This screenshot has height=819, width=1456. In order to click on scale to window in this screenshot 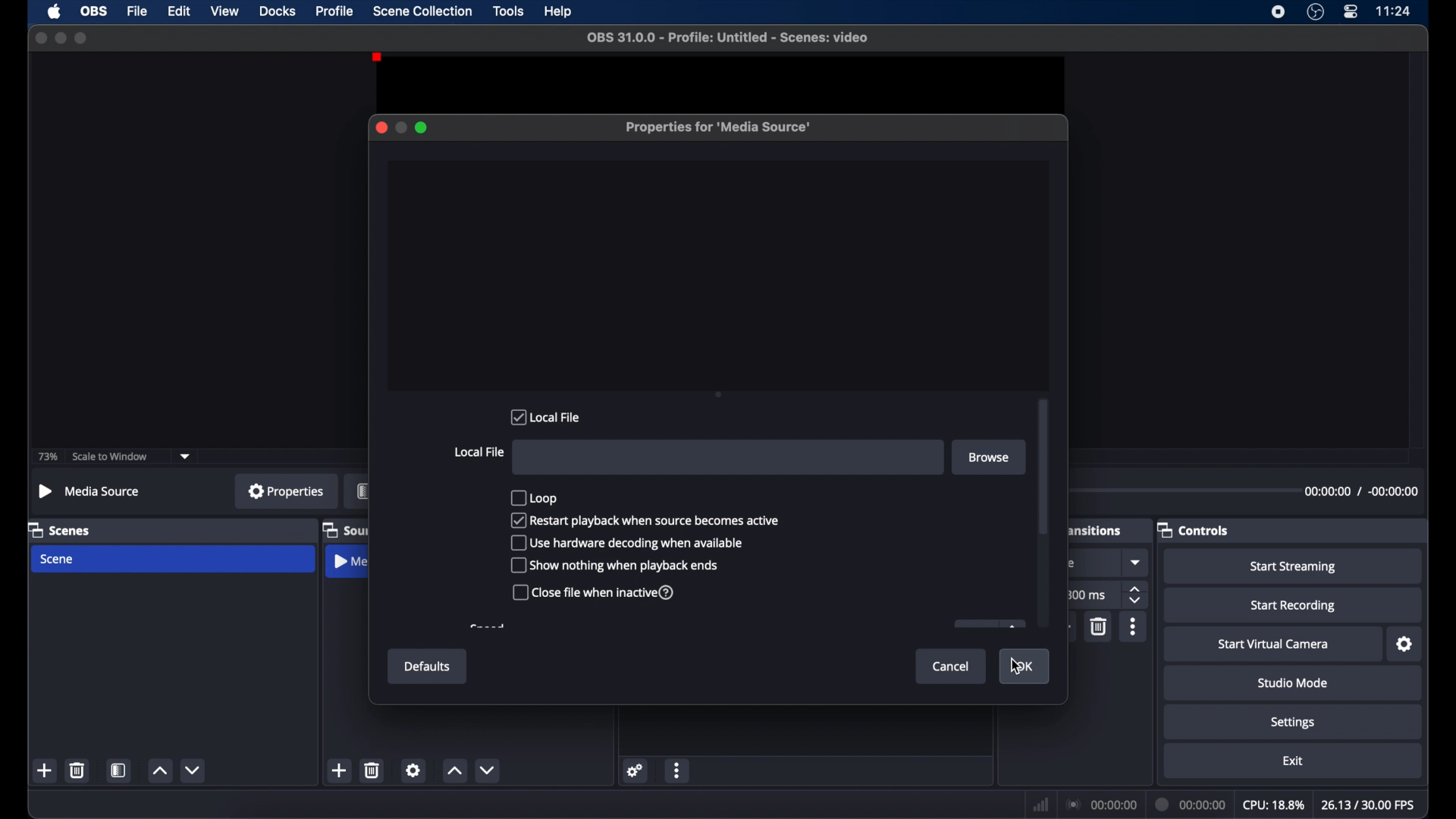, I will do `click(110, 457)`.